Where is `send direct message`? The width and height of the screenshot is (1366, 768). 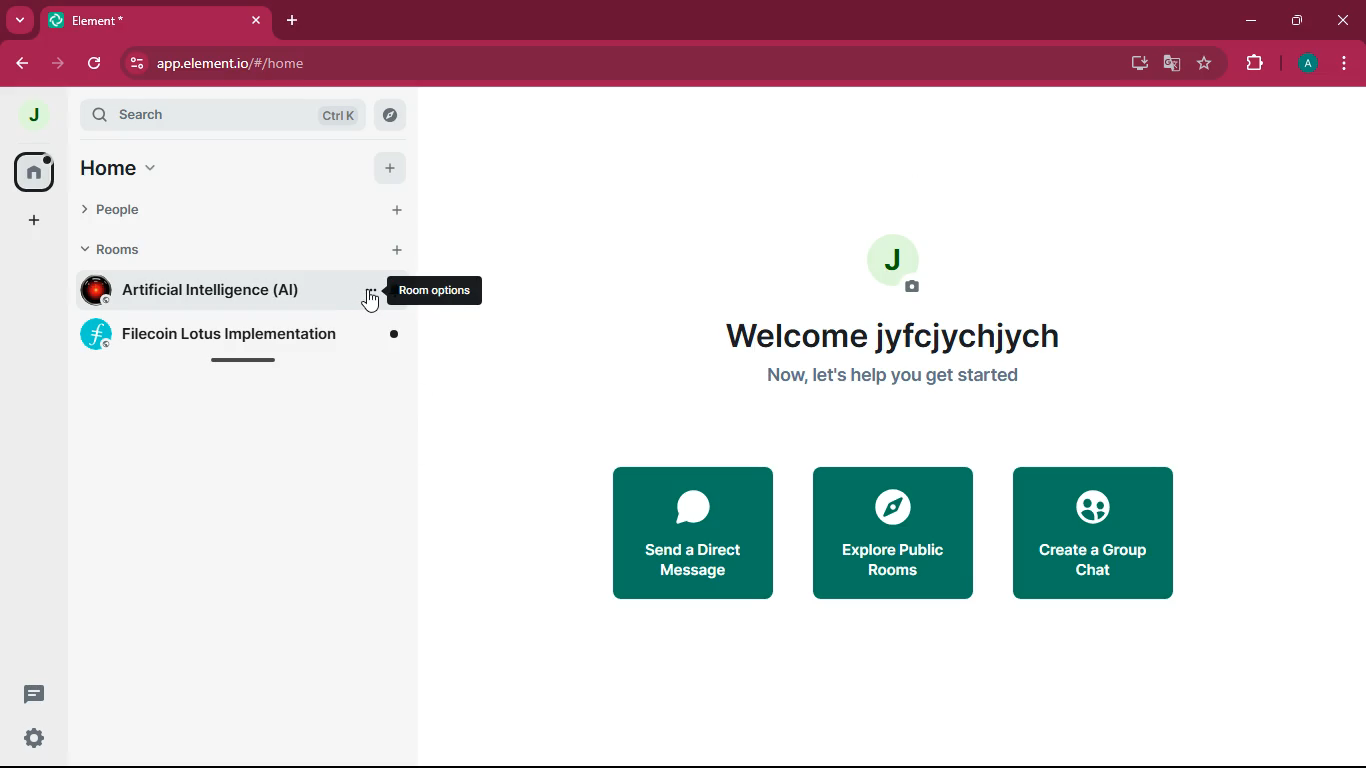 send direct message is located at coordinates (686, 534).